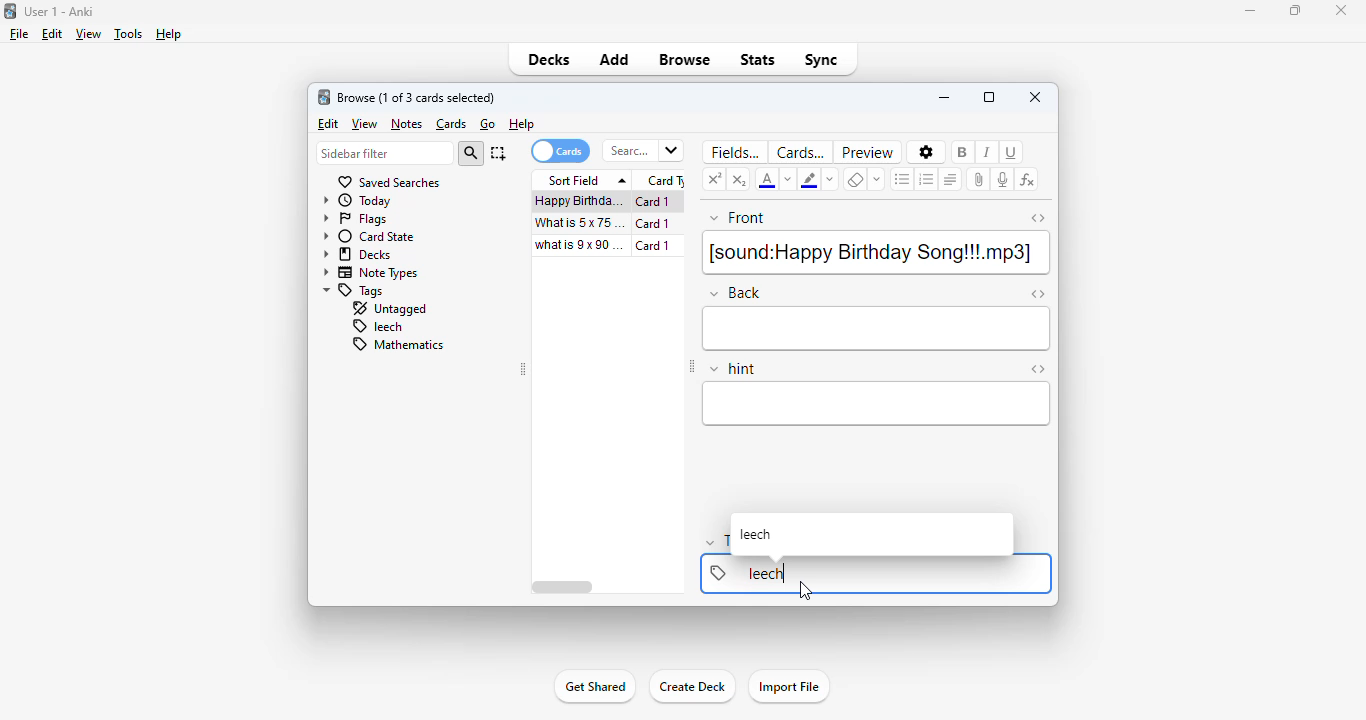 The width and height of the screenshot is (1366, 720). Describe the element at coordinates (559, 151) in the screenshot. I see `cards` at that location.